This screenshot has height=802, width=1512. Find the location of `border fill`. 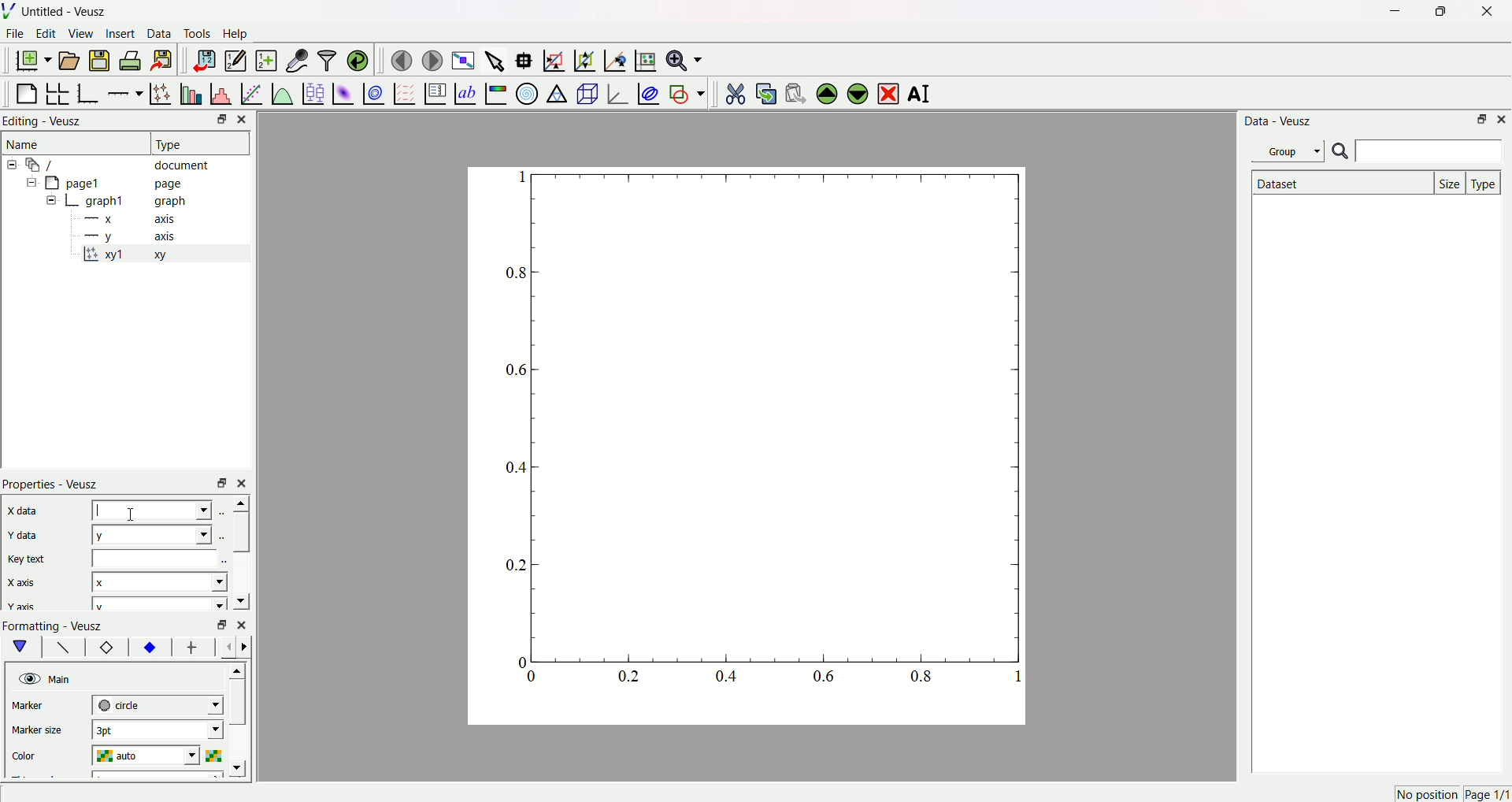

border fill is located at coordinates (149, 647).